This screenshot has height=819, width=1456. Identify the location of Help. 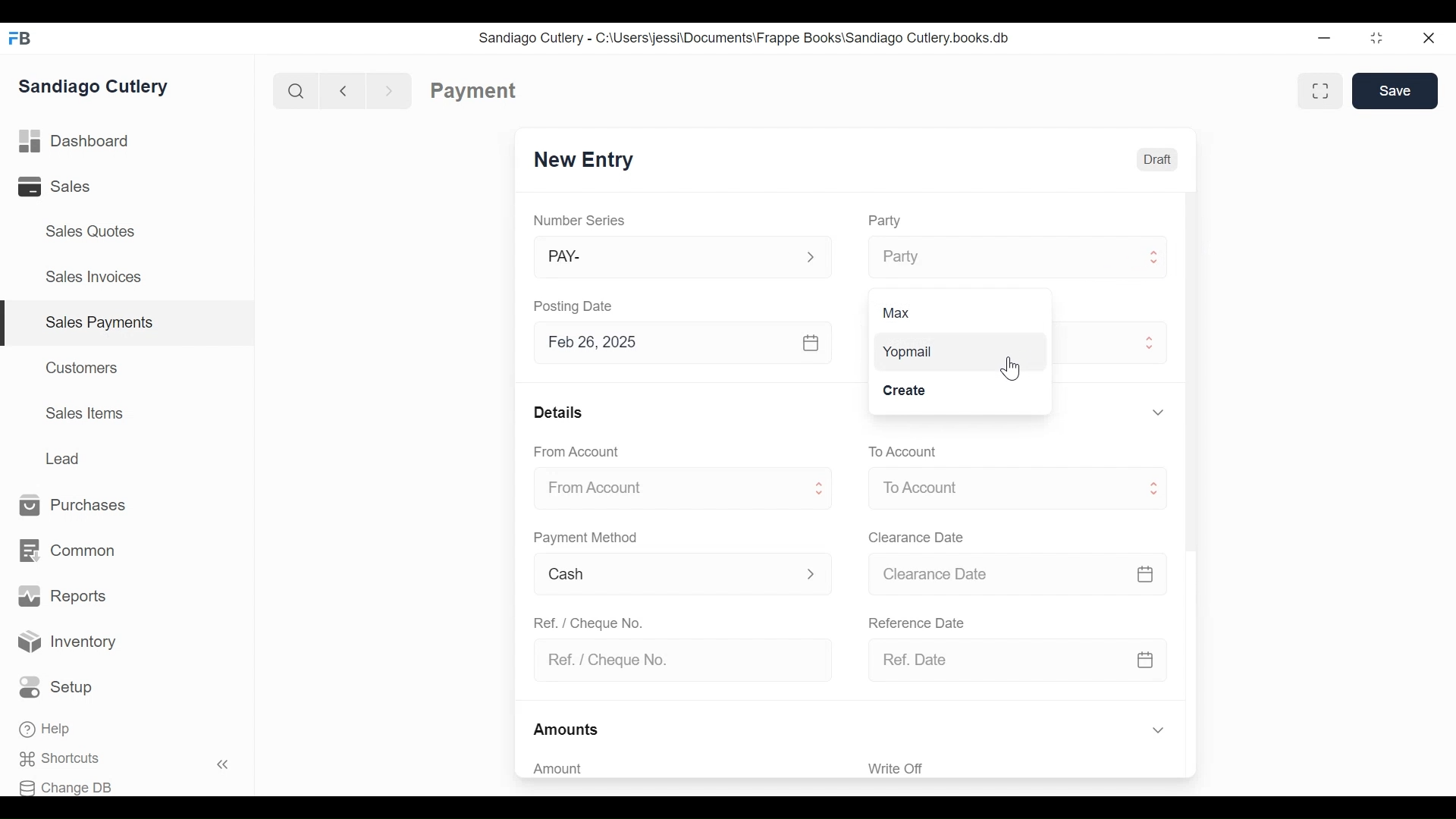
(47, 730).